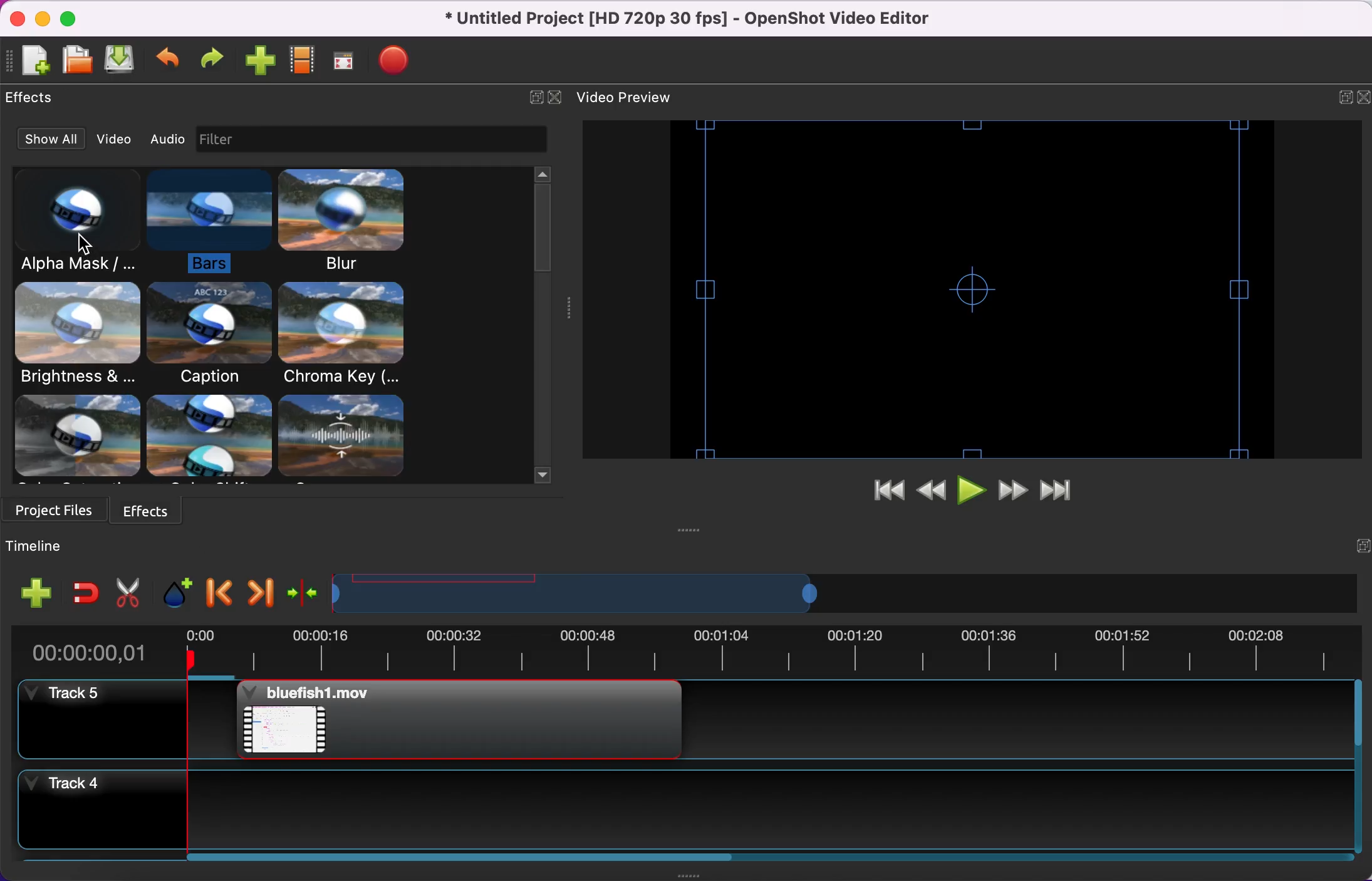  What do you see at coordinates (56, 513) in the screenshot?
I see `project files` at bounding box center [56, 513].